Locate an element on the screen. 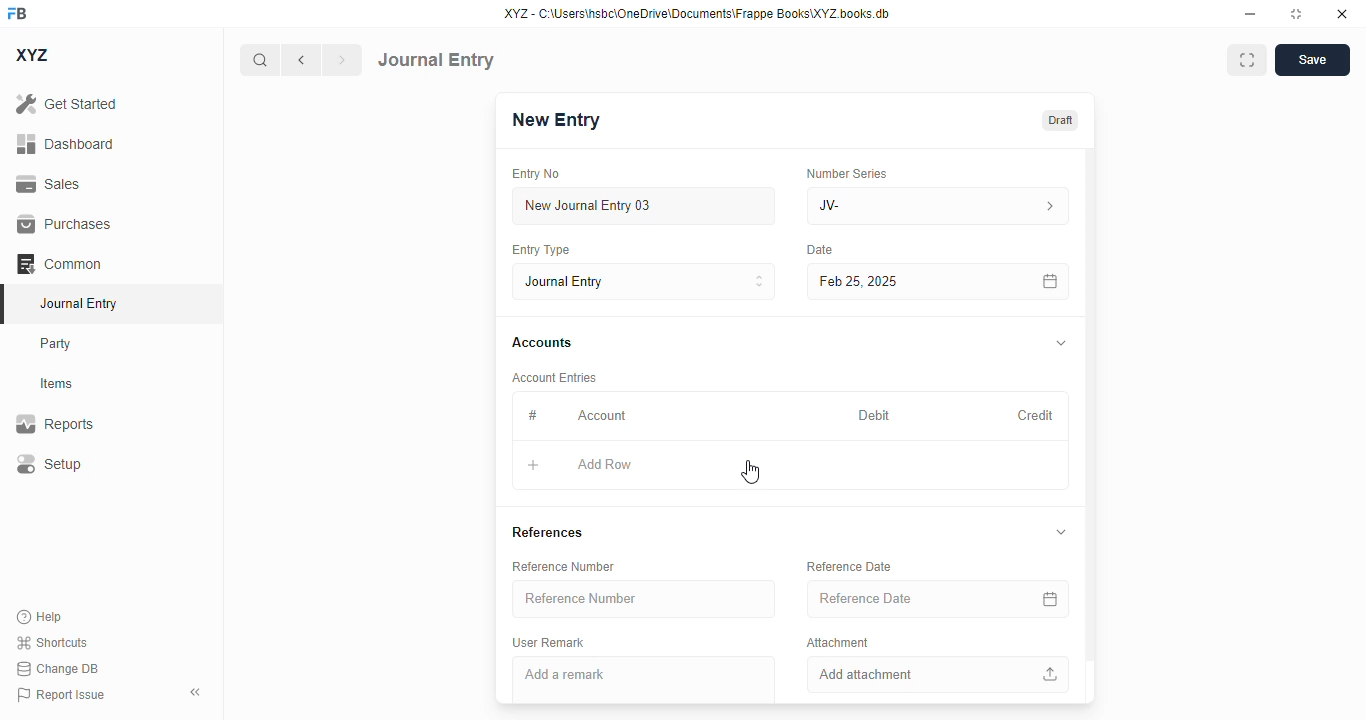 Image resolution: width=1366 pixels, height=720 pixels. scroll bar is located at coordinates (1091, 424).